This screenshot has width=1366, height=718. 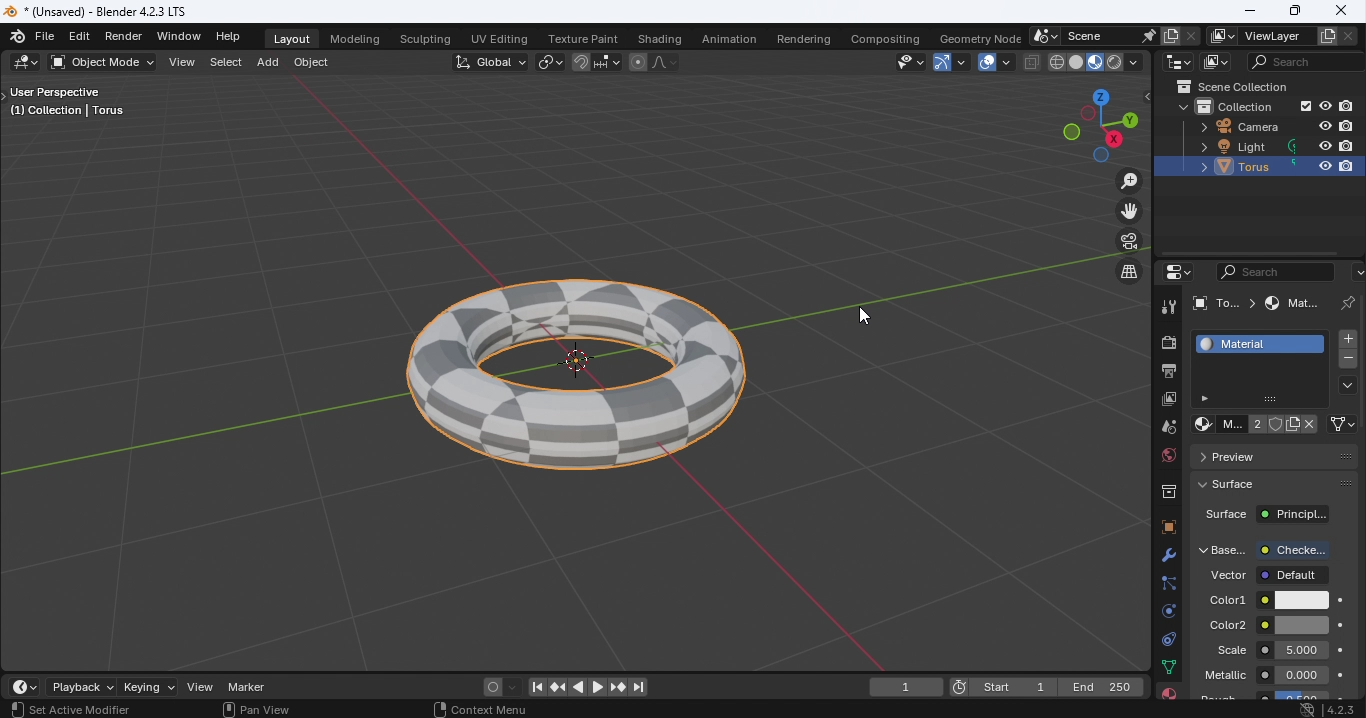 I want to click on Toggle X-ray, so click(x=1029, y=62).